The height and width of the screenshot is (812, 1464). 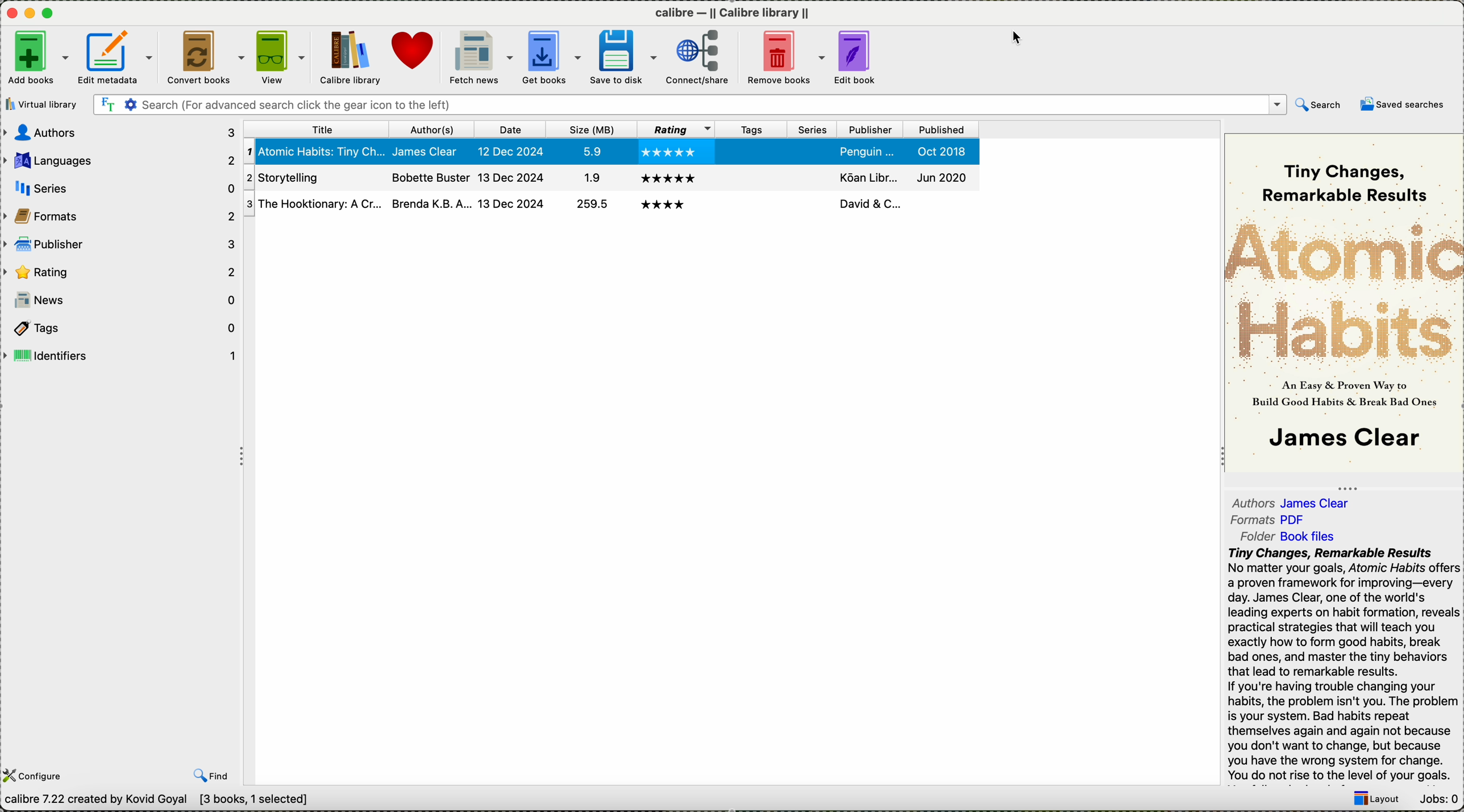 I want to click on series, so click(x=811, y=206).